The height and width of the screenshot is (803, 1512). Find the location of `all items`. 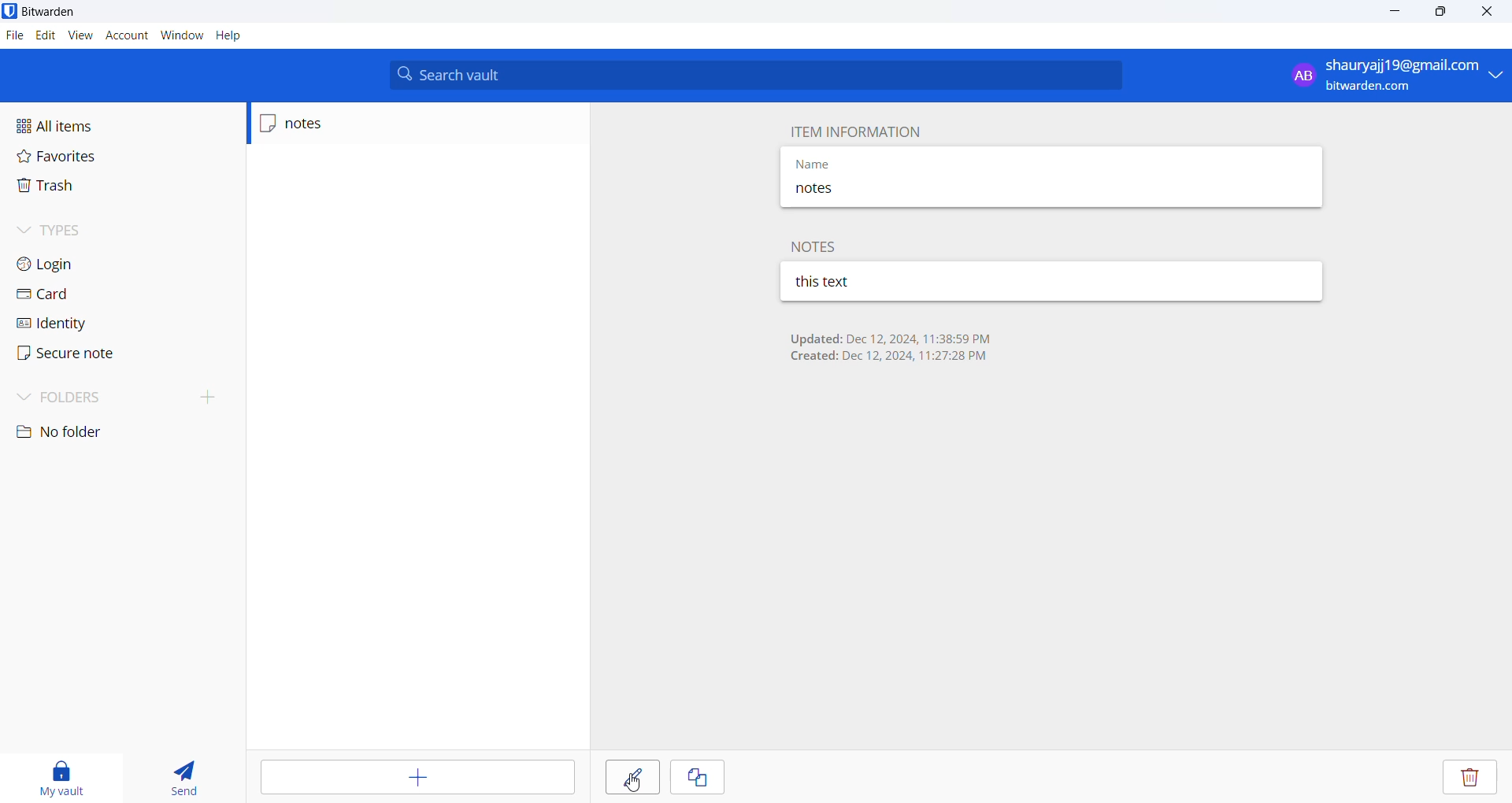

all items is located at coordinates (82, 126).